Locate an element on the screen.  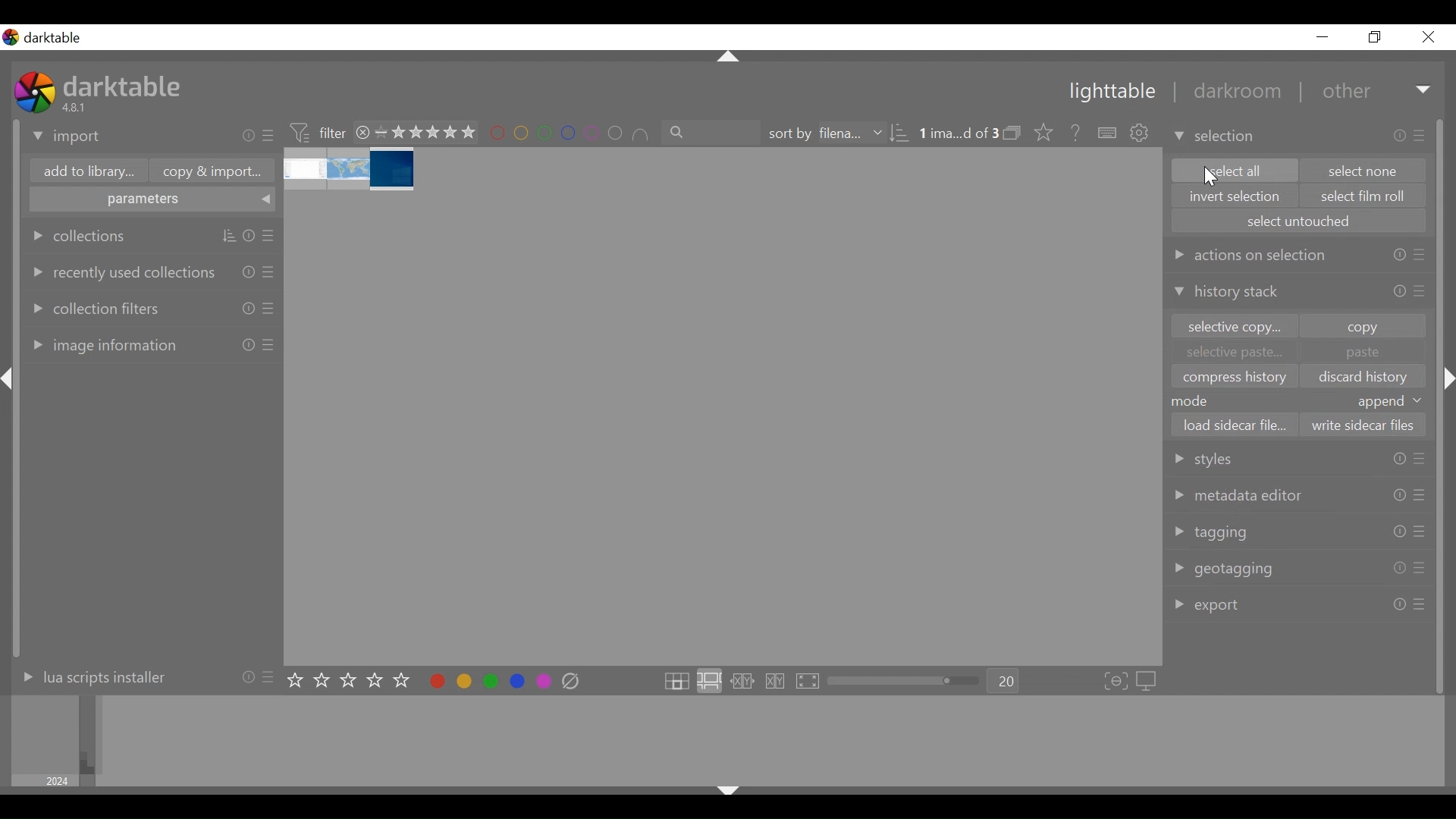
info is located at coordinates (249, 344).